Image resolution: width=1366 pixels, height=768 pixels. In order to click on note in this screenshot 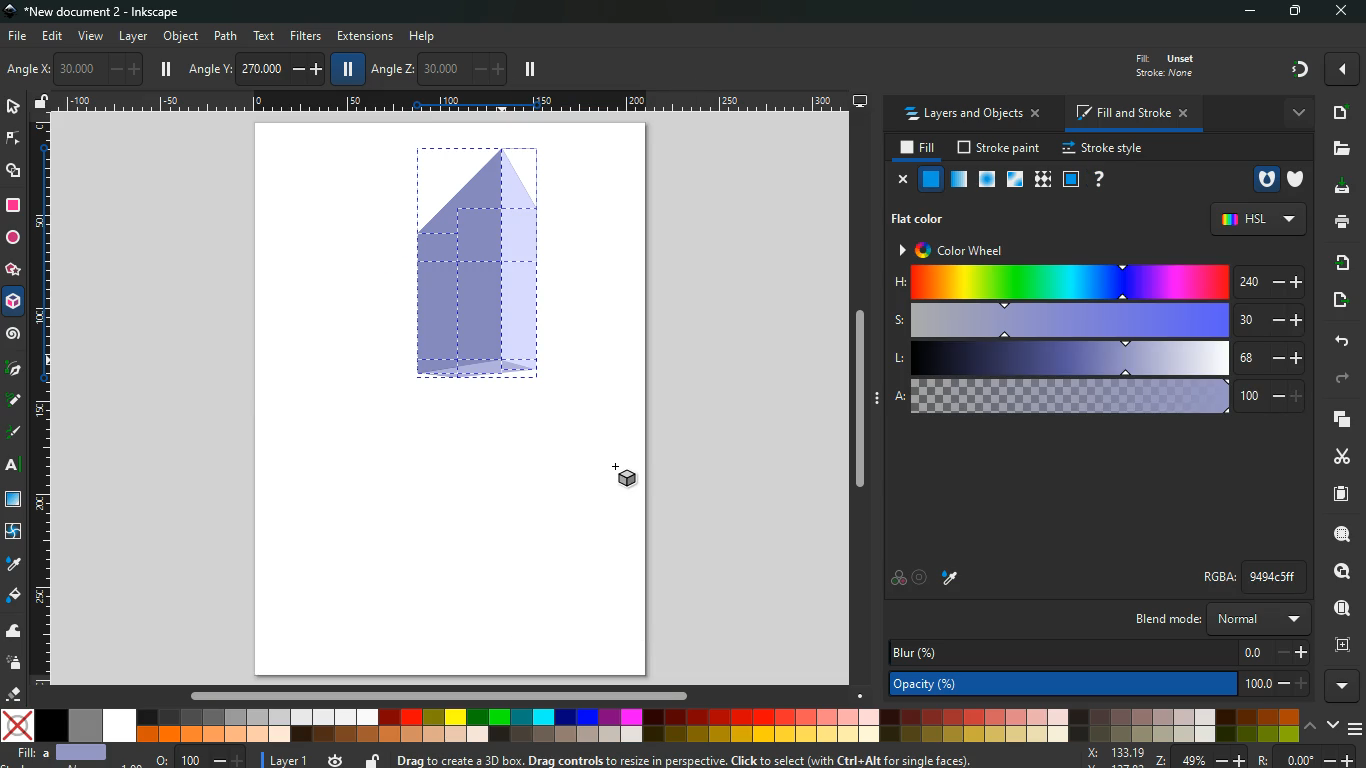, I will do `click(16, 399)`.